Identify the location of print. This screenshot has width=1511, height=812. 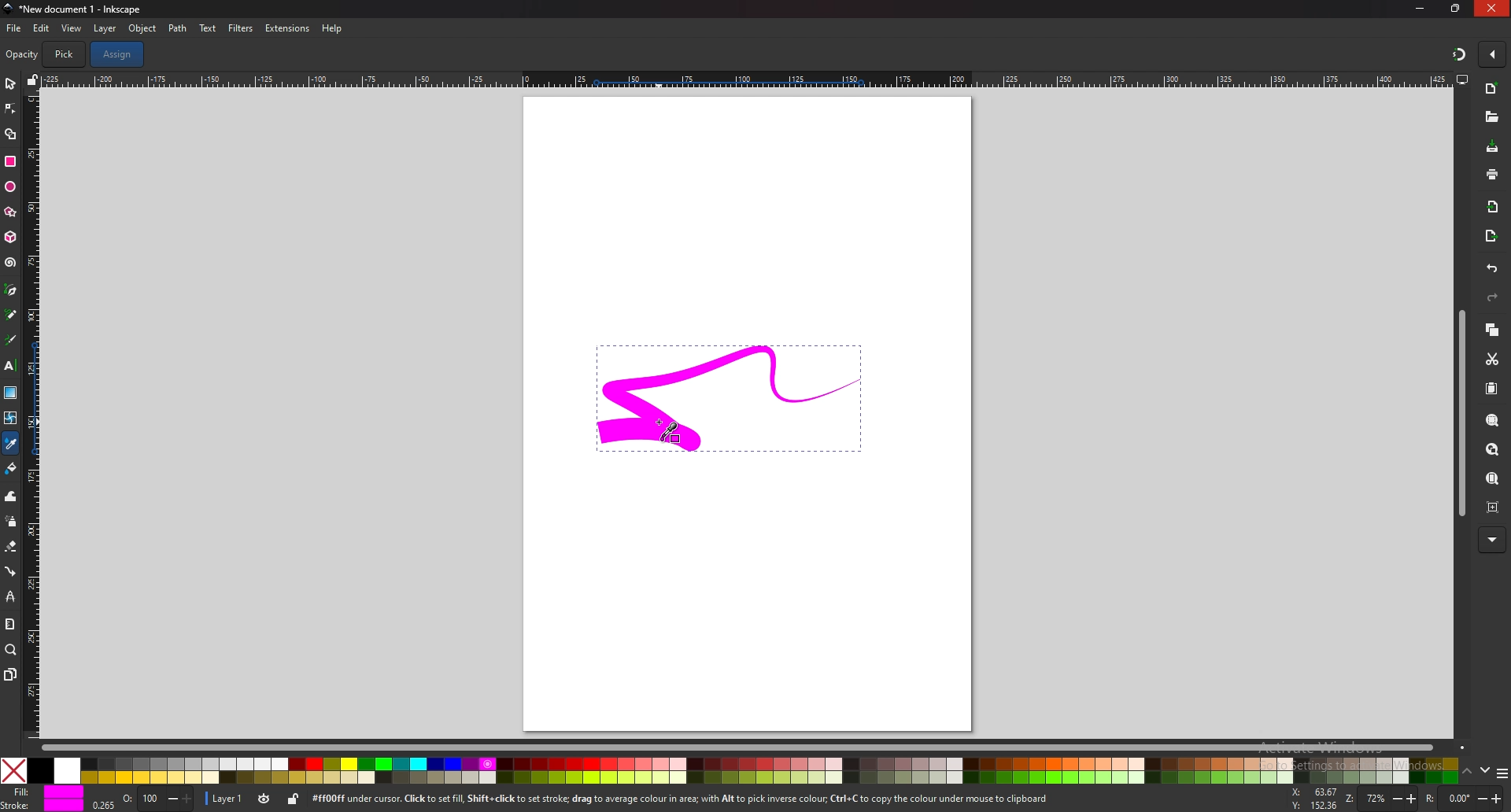
(1492, 173).